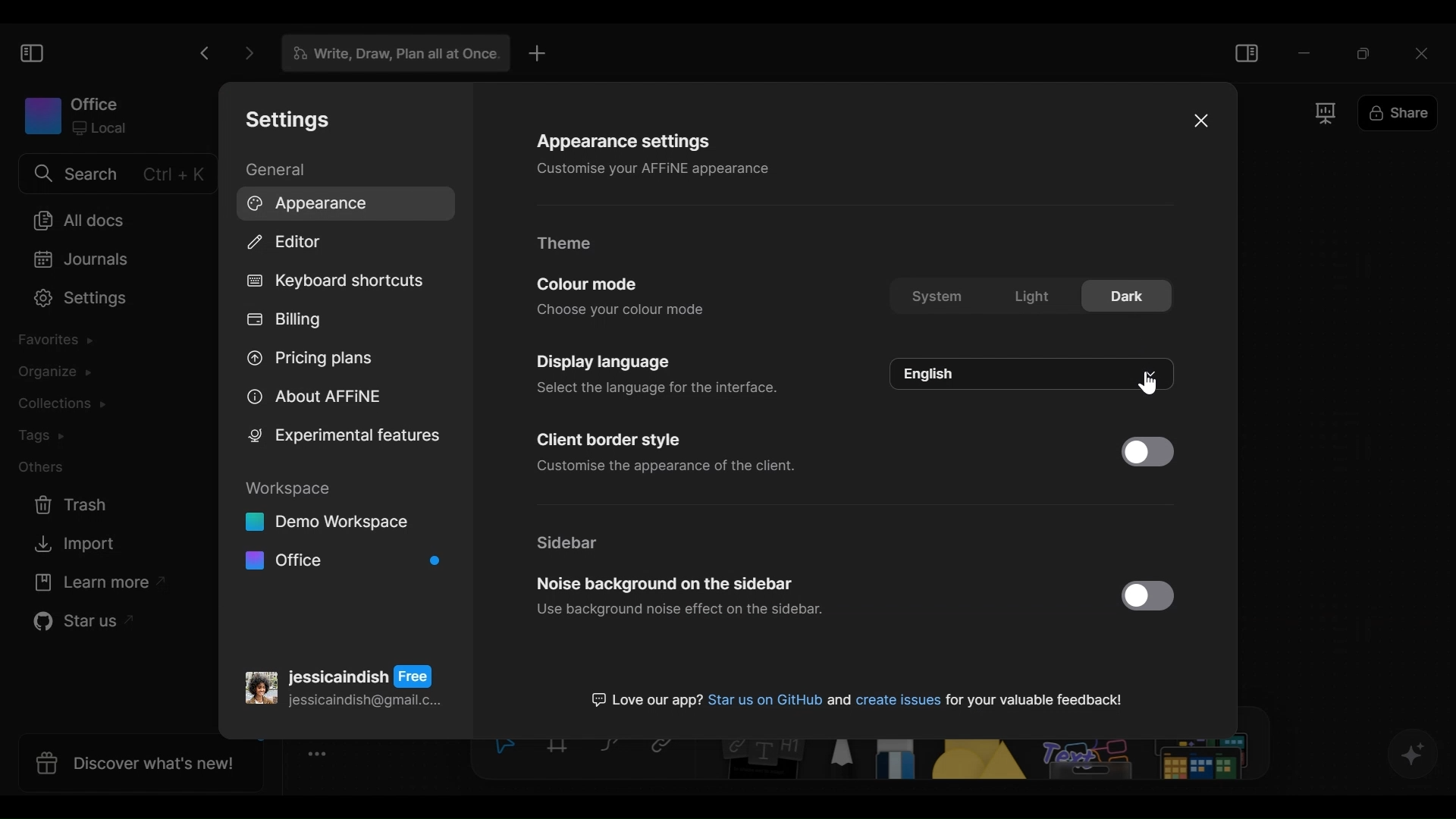  Describe the element at coordinates (76, 115) in the screenshot. I see `Workspace` at that location.